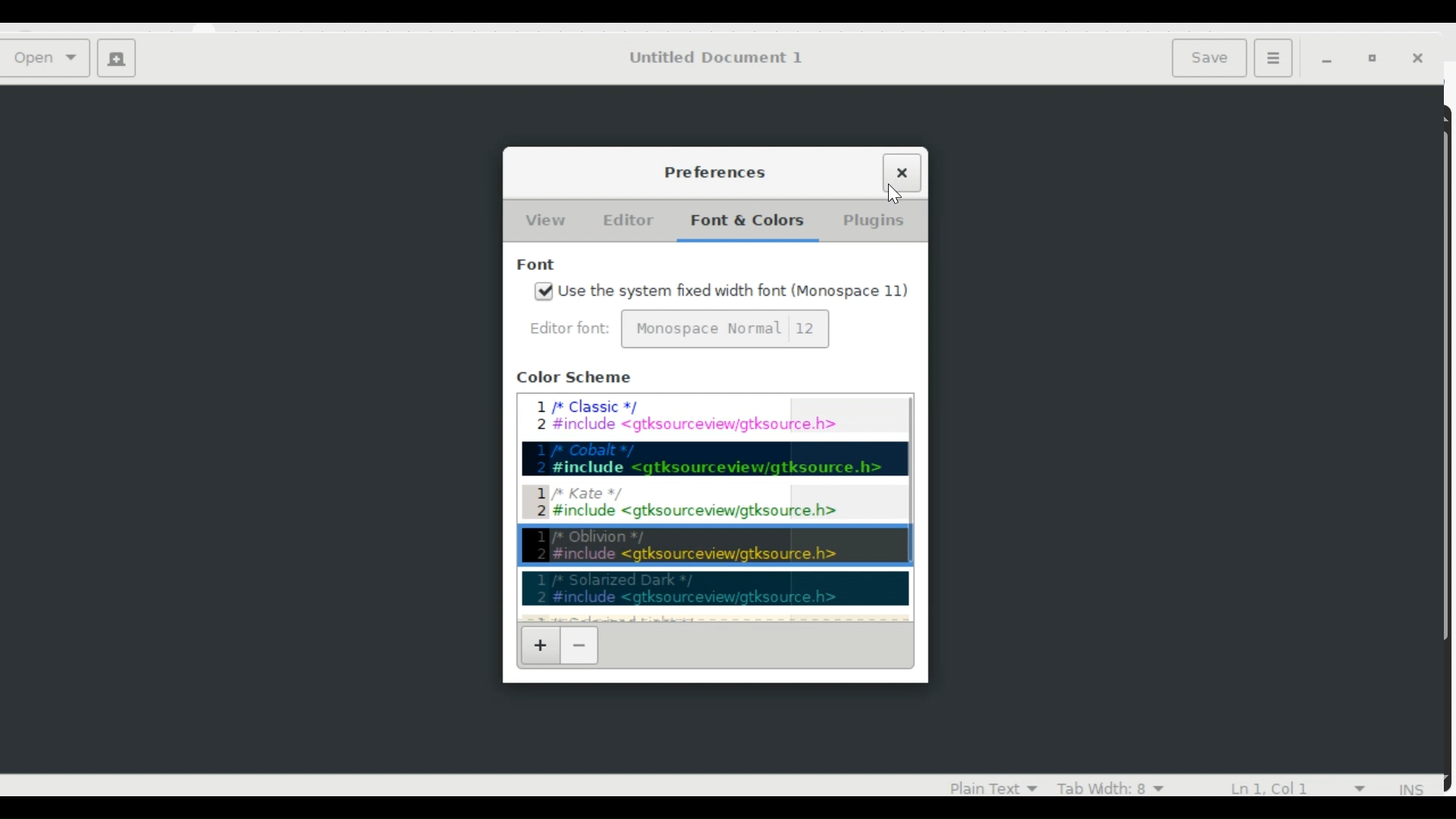 Image resolution: width=1456 pixels, height=819 pixels. Describe the element at coordinates (626, 220) in the screenshot. I see `Editor` at that location.